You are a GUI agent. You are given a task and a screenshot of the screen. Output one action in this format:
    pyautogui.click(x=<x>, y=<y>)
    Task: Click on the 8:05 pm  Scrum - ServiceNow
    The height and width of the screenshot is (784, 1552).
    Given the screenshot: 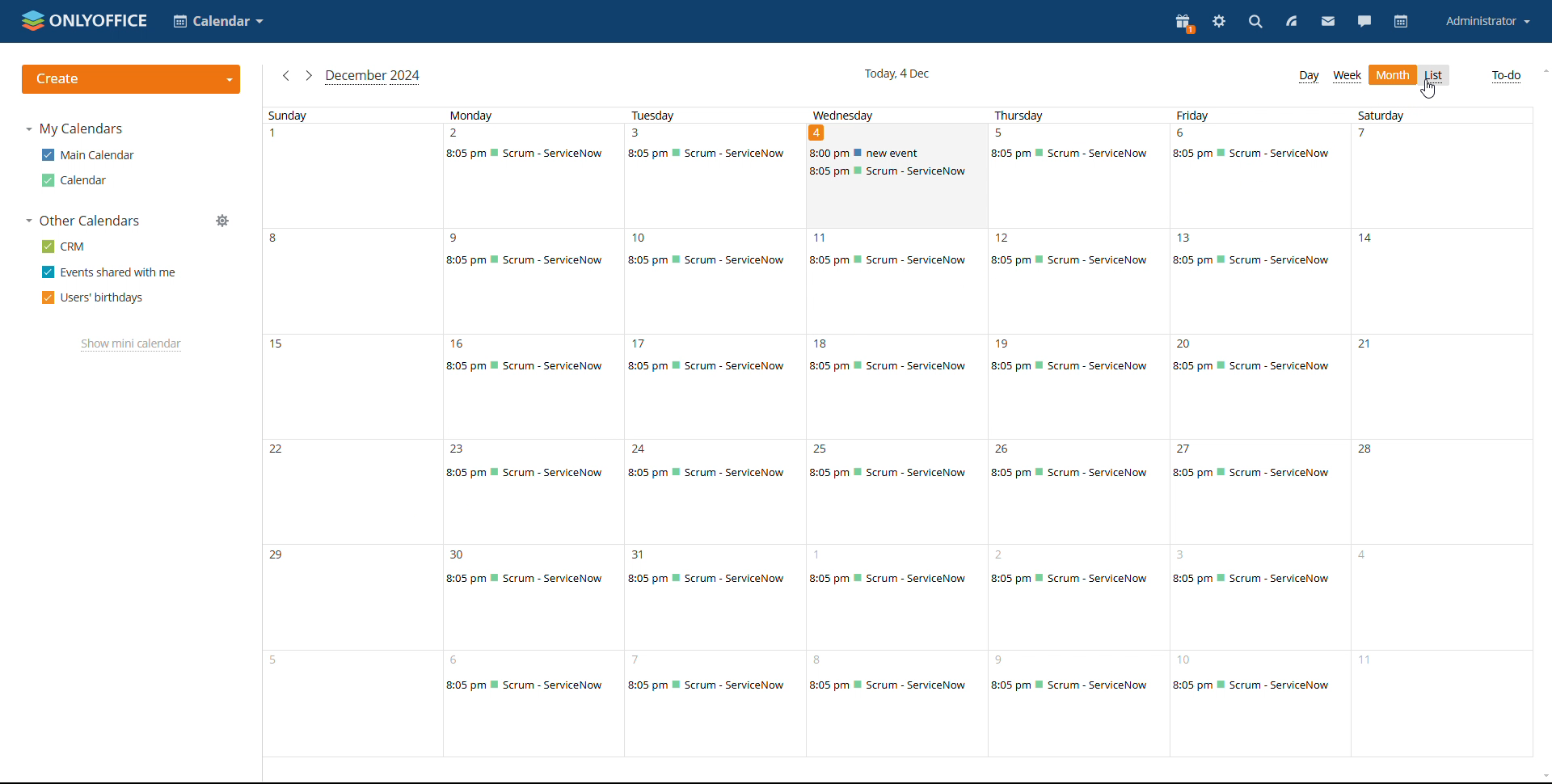 What is the action you would take?
    pyautogui.click(x=708, y=154)
    